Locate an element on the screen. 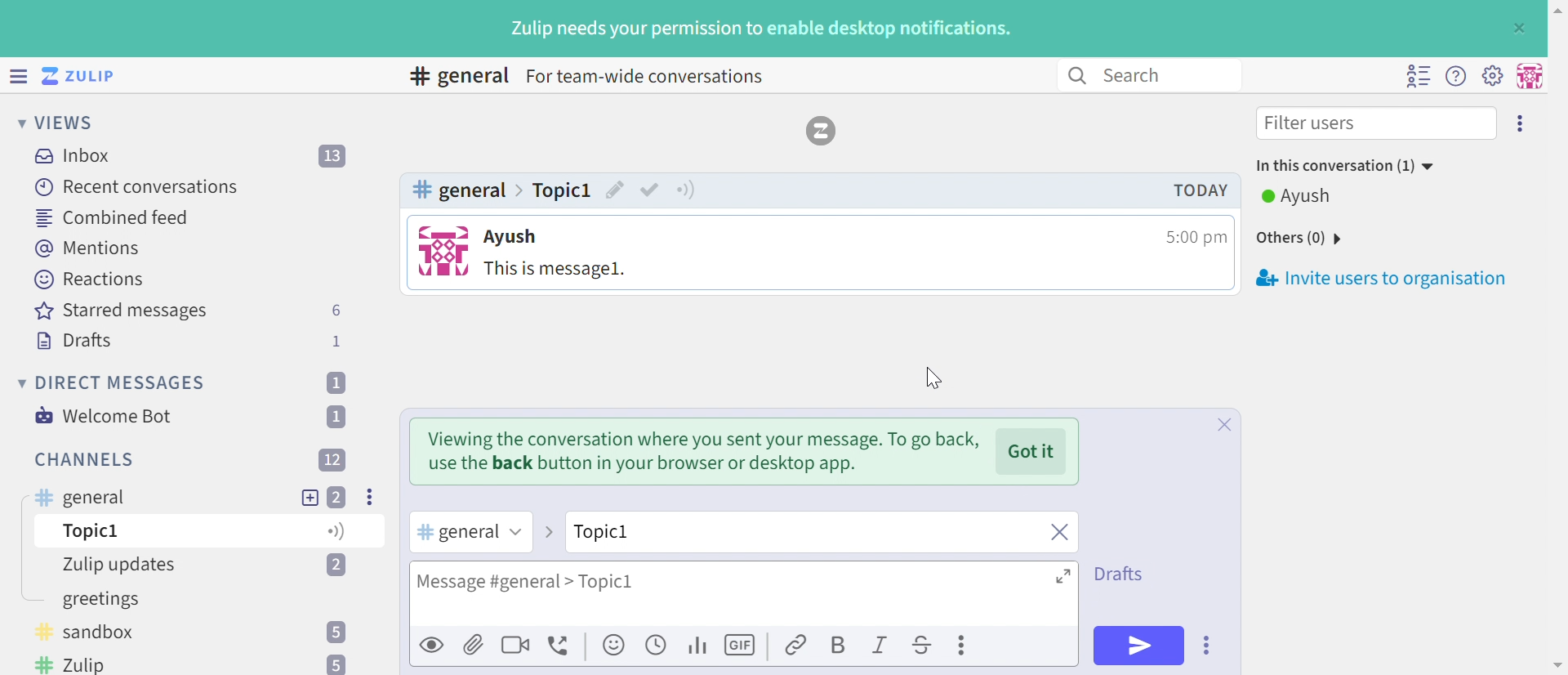 This screenshot has width=1568, height=675. Expand compose box is located at coordinates (1065, 575).